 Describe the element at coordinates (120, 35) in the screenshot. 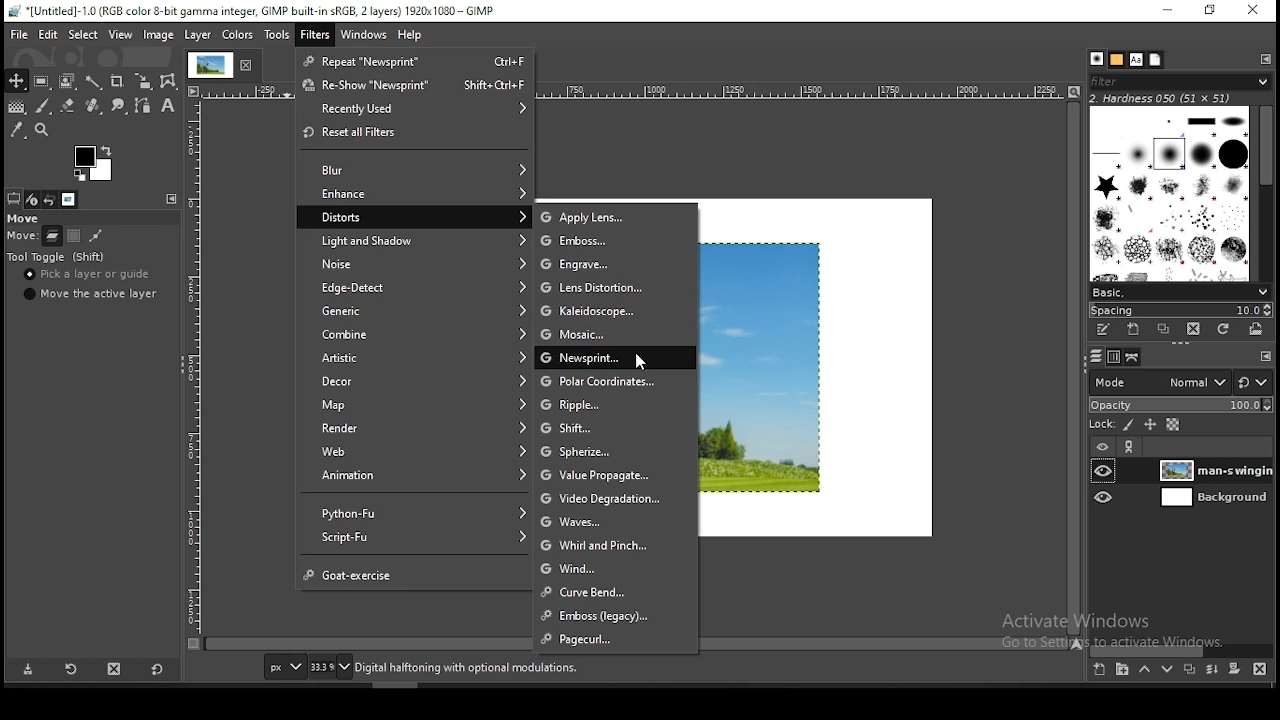

I see `view` at that location.